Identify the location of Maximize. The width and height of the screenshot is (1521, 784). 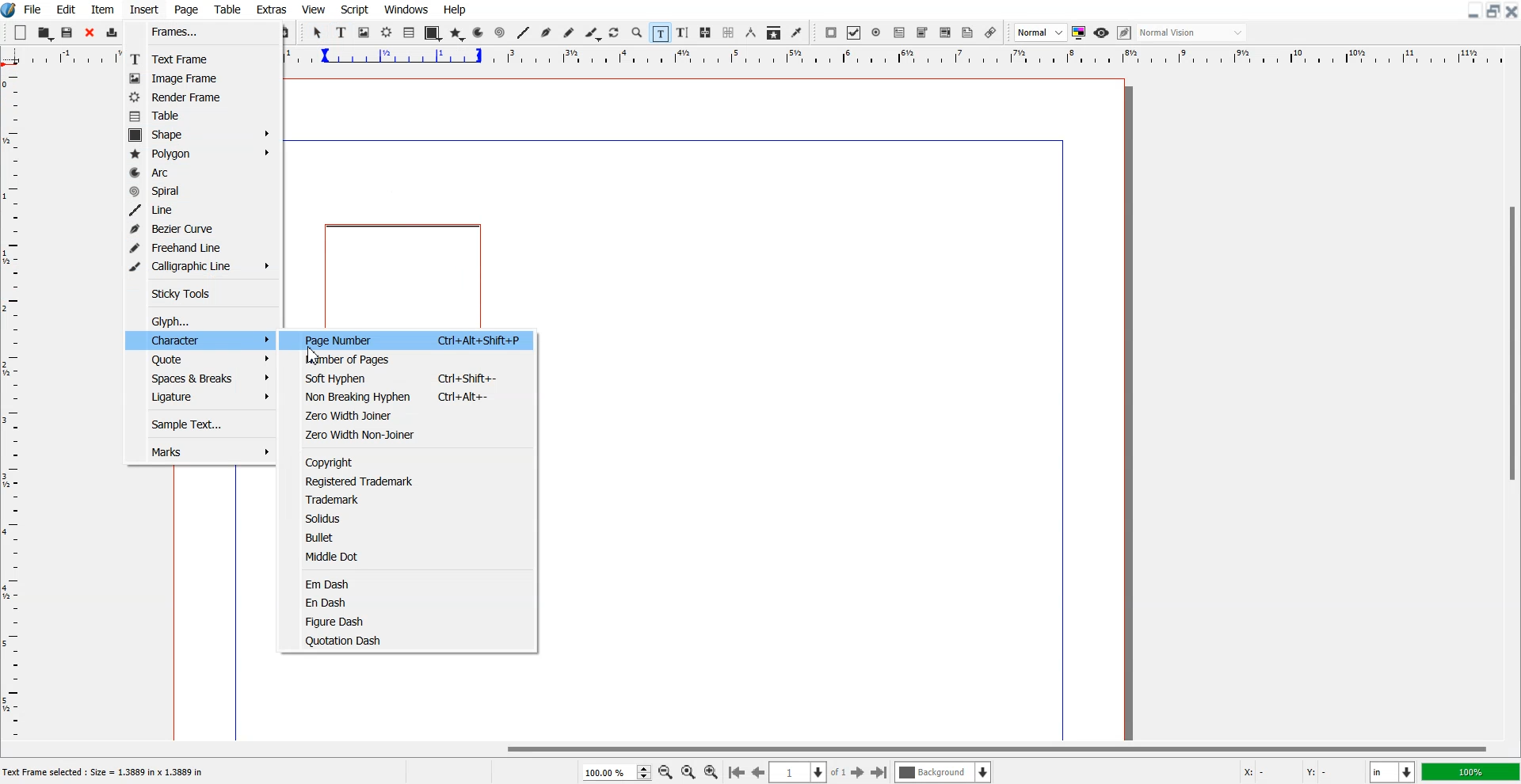
(1494, 10).